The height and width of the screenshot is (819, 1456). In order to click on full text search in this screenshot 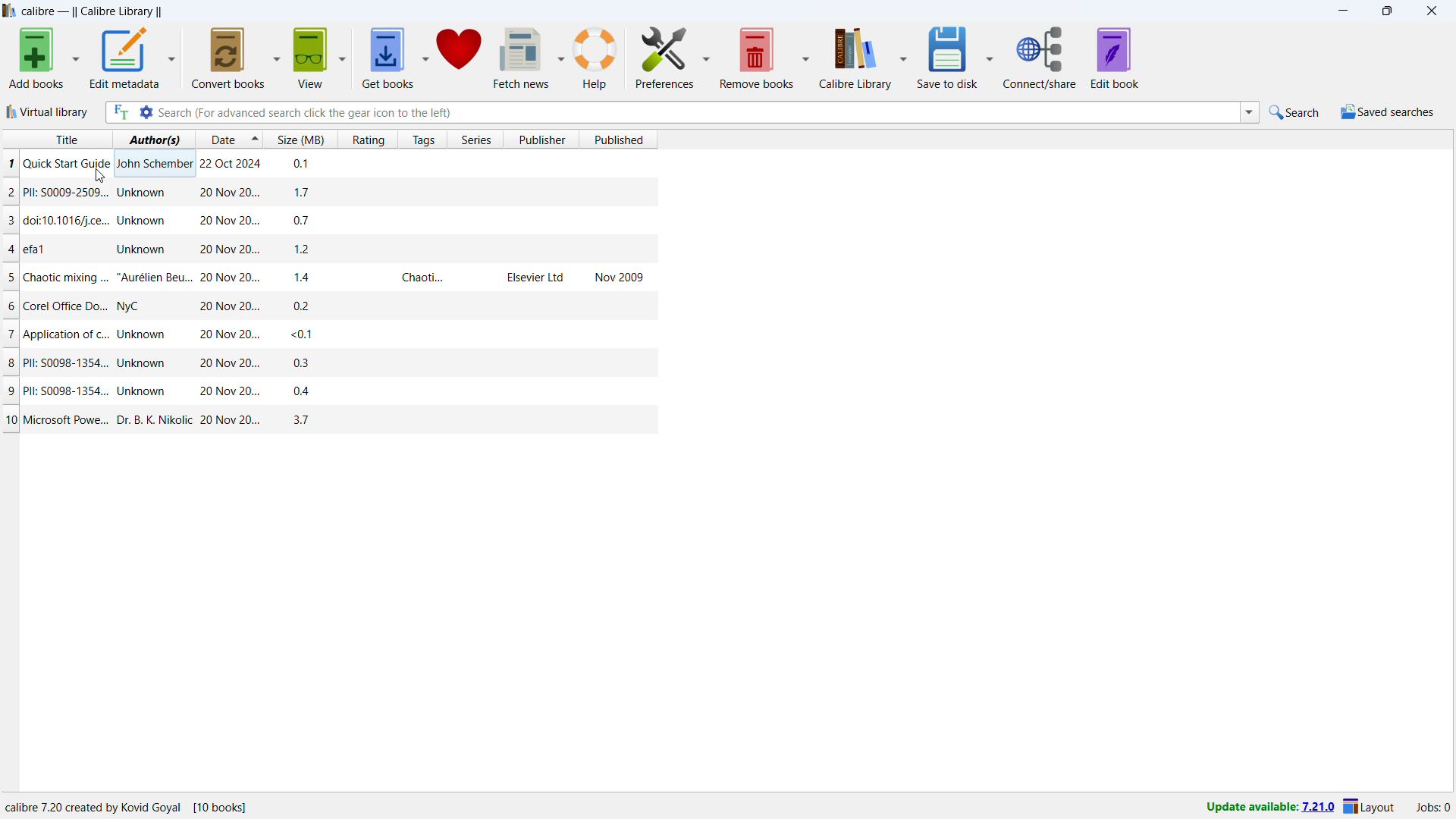, I will do `click(117, 112)`.